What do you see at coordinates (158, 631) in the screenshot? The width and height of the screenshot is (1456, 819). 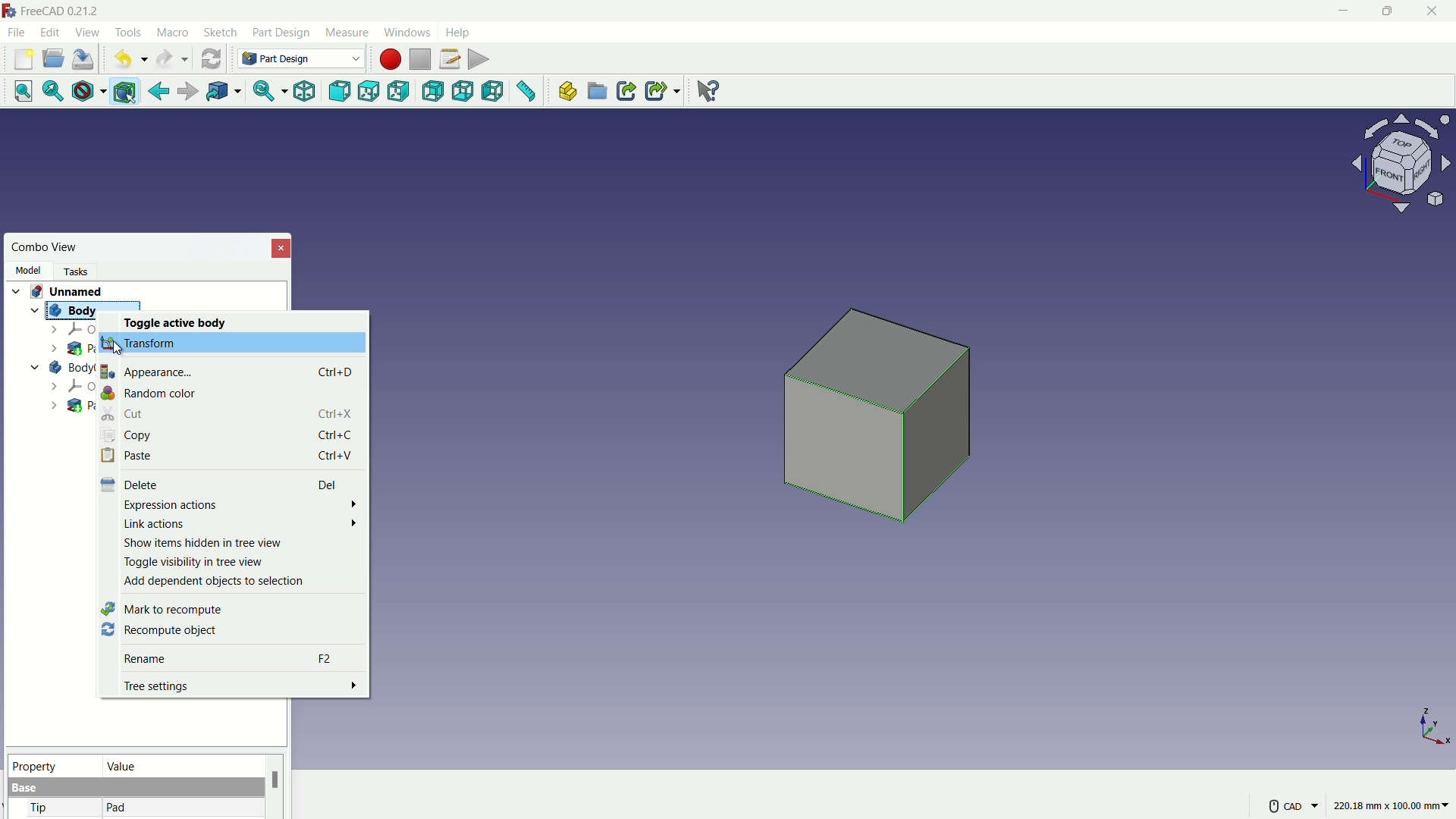 I see `Recompute object` at bounding box center [158, 631].